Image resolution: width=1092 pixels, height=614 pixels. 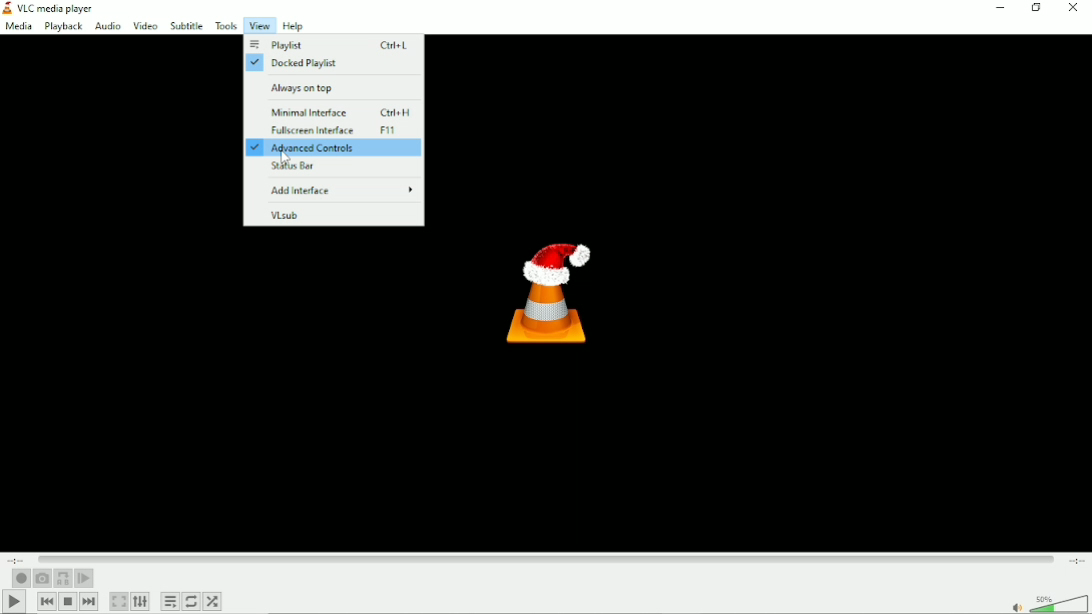 What do you see at coordinates (88, 601) in the screenshot?
I see `Next` at bounding box center [88, 601].